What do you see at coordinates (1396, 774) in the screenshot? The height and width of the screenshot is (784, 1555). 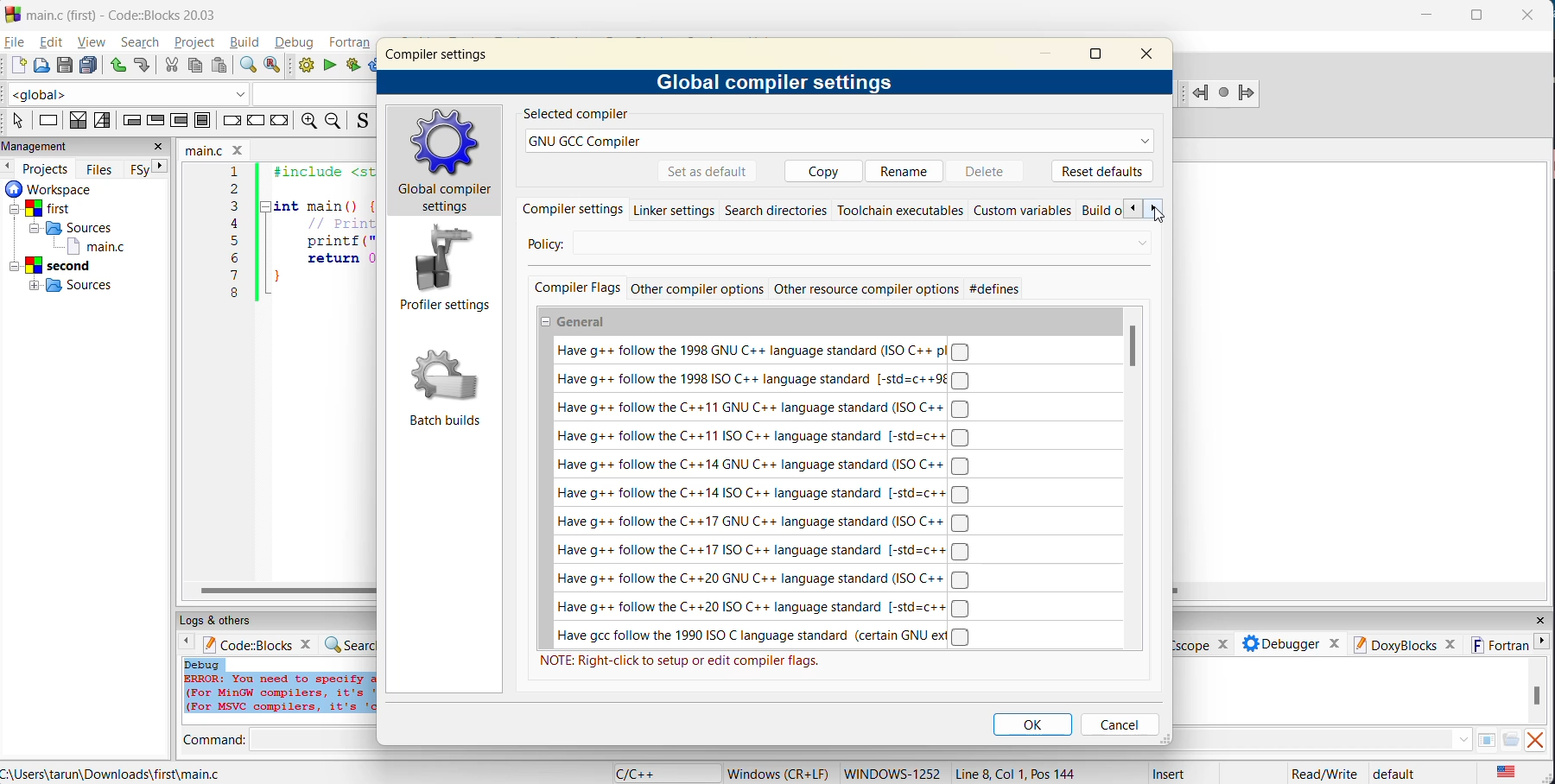 I see `default` at bounding box center [1396, 774].